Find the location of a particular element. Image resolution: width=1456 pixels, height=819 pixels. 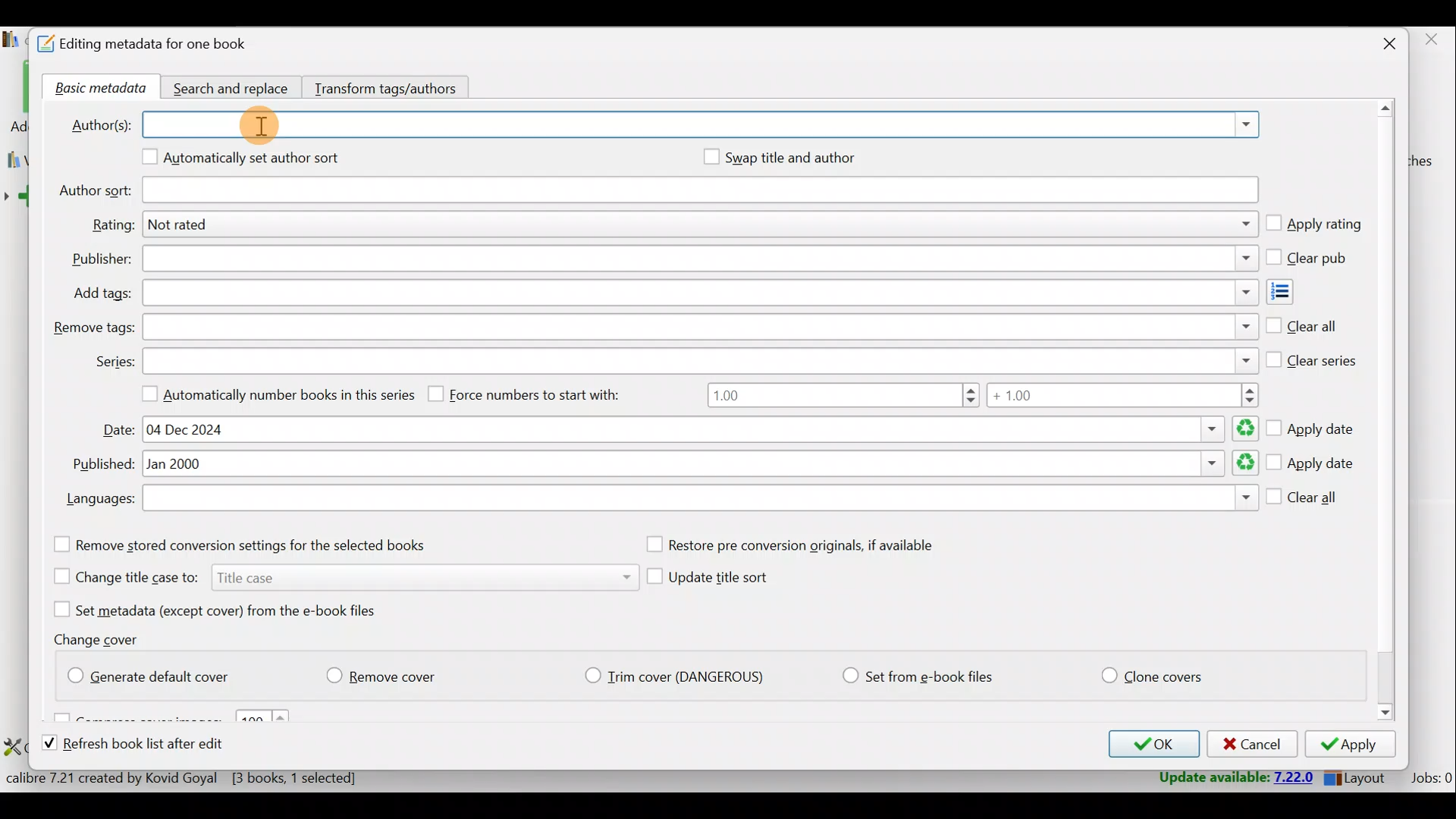

Apply date is located at coordinates (1313, 424).